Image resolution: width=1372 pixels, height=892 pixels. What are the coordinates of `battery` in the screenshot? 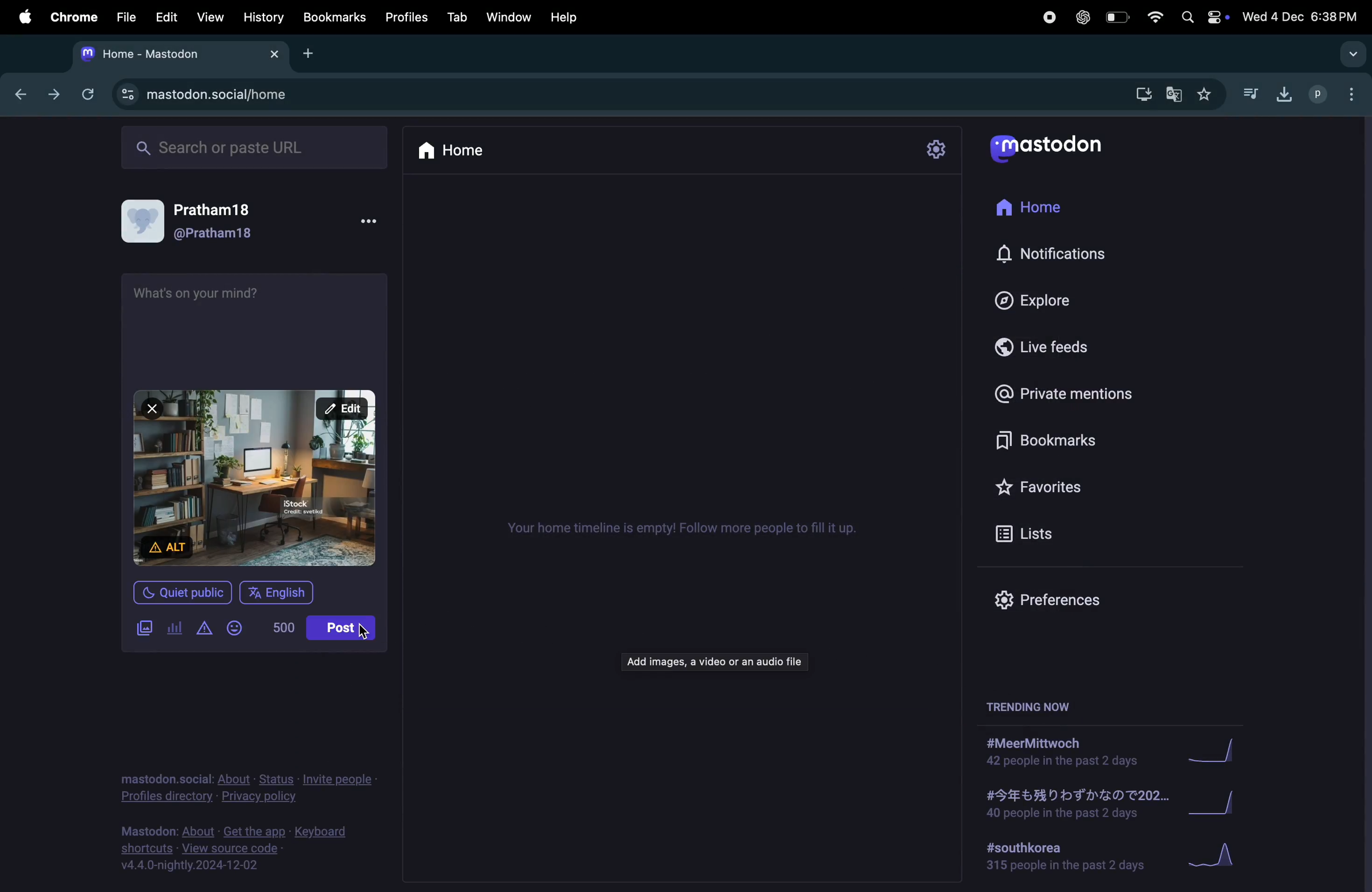 It's located at (1118, 17).